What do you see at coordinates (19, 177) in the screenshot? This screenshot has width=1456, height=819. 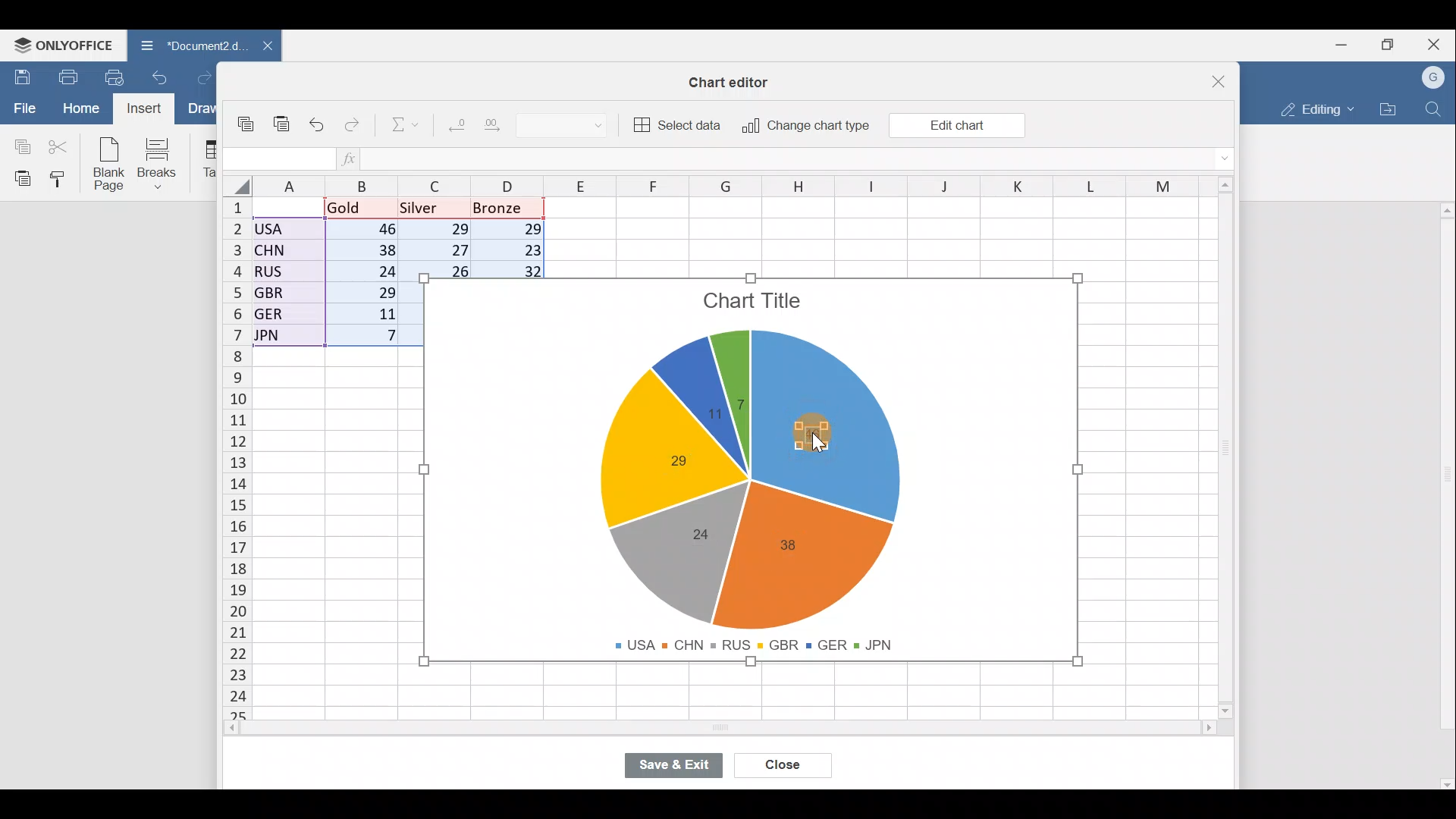 I see `Paste` at bounding box center [19, 177].